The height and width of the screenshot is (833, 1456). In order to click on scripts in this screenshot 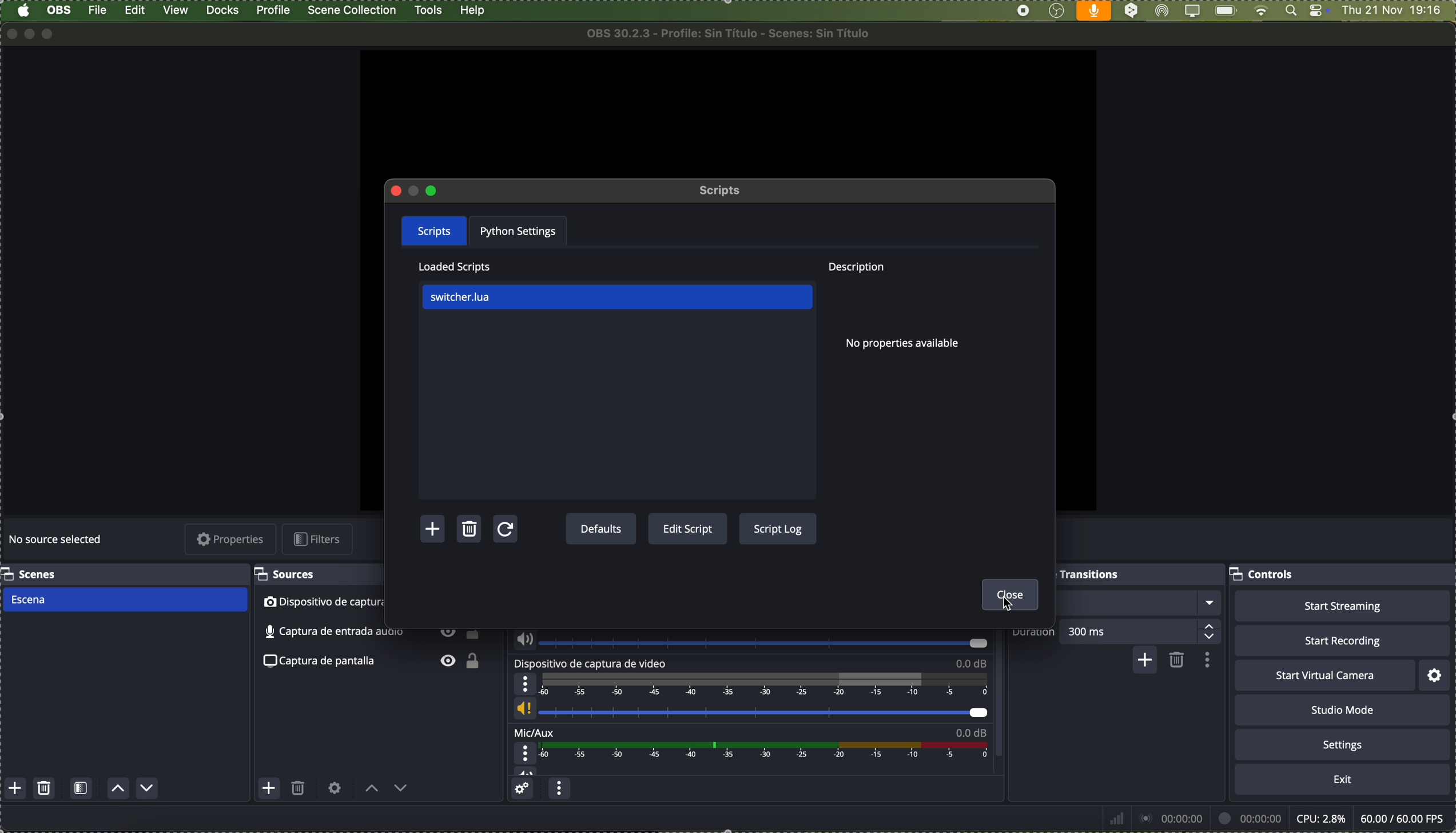, I will do `click(434, 229)`.